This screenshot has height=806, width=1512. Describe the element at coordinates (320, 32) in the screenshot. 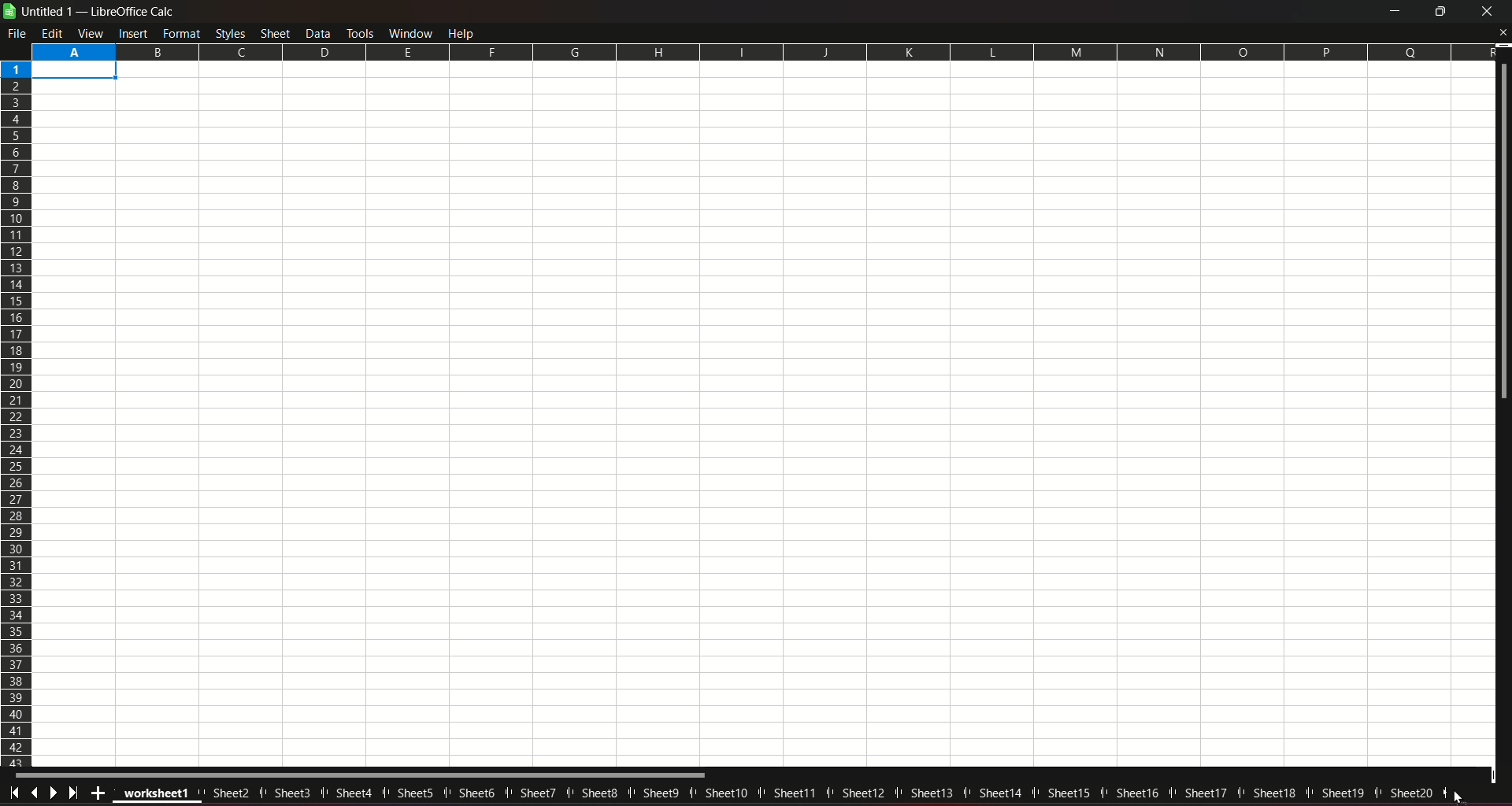

I see `Data` at that location.